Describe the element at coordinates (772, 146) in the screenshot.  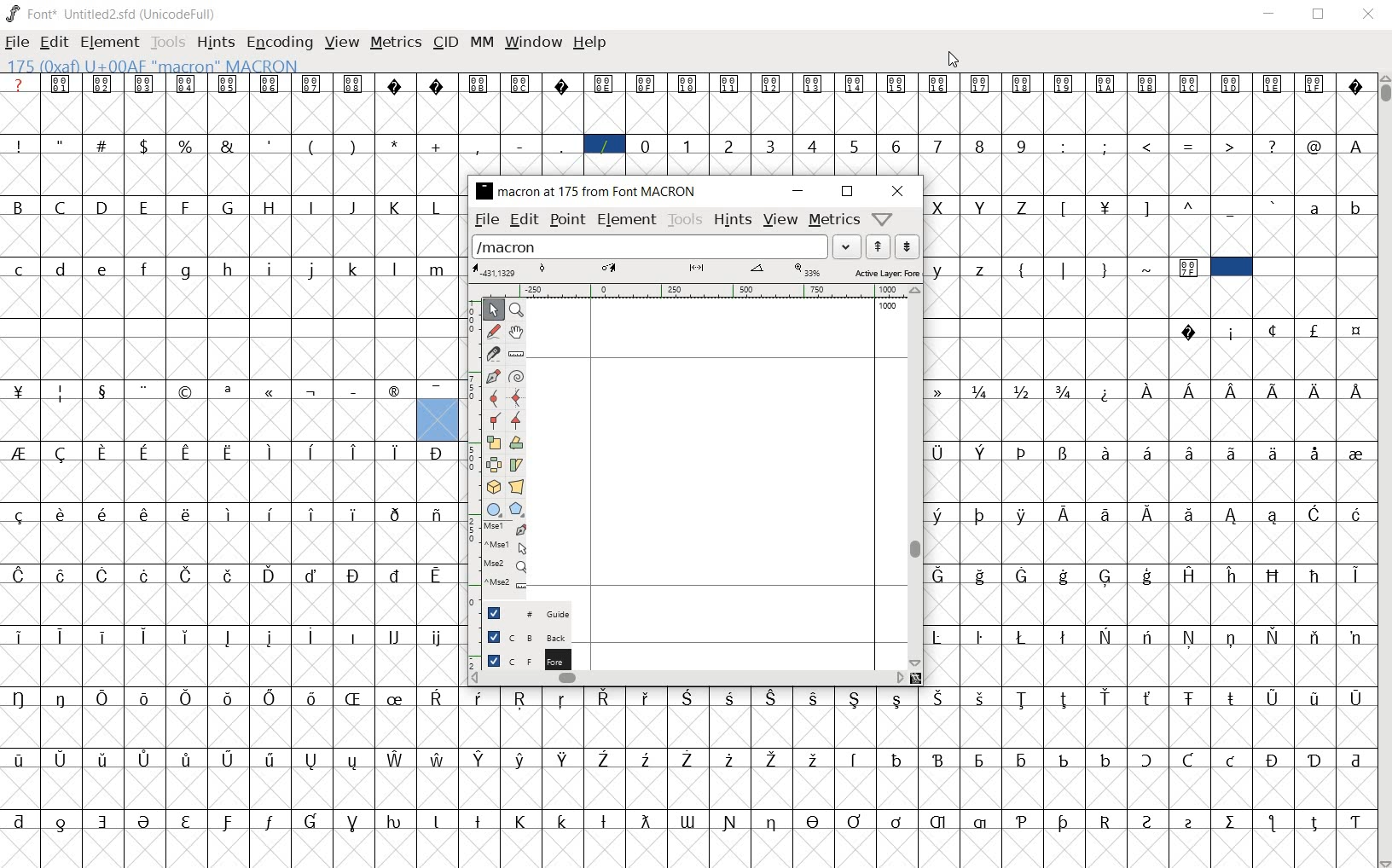
I see `3` at that location.